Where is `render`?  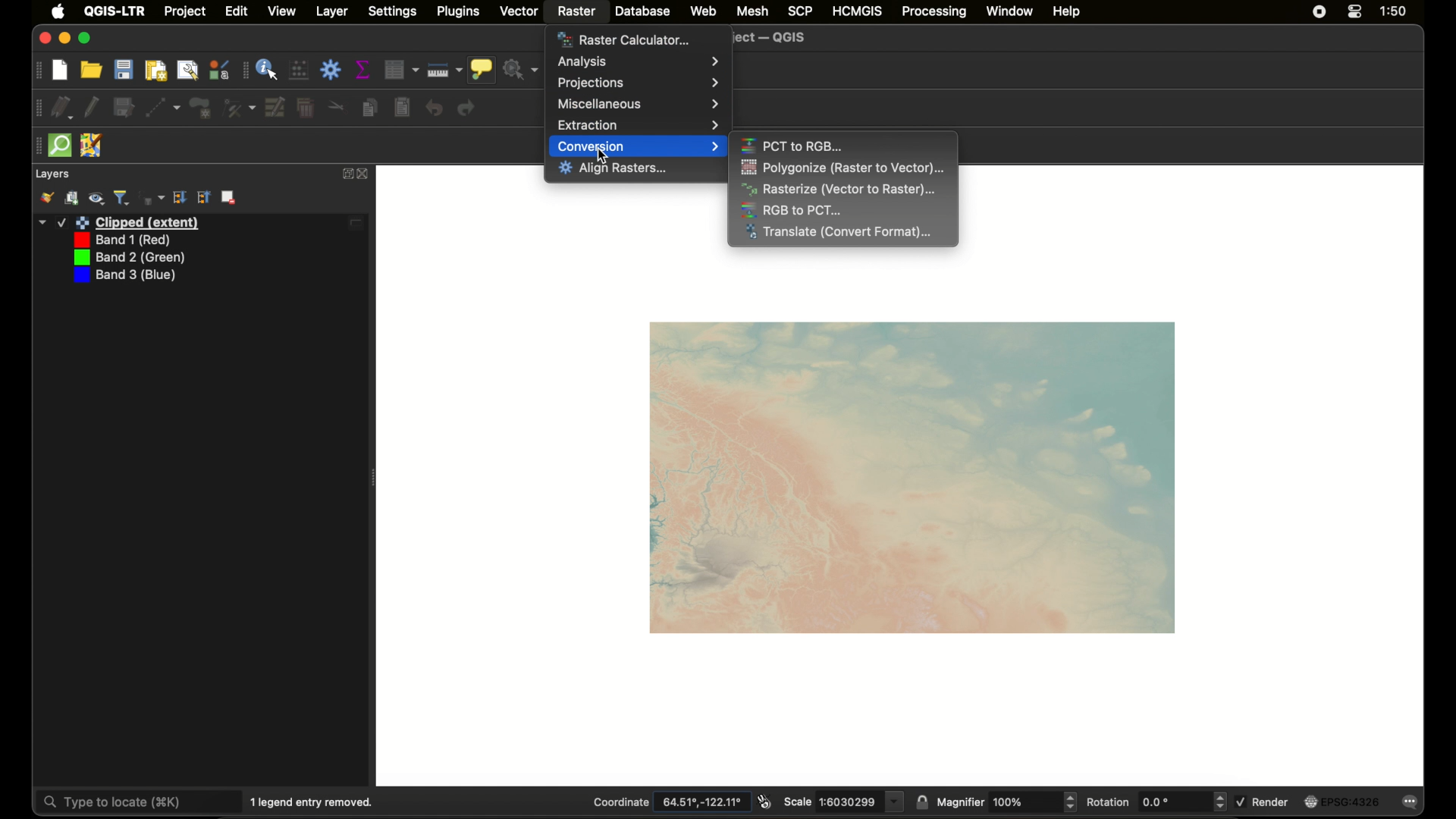
render is located at coordinates (1263, 801).